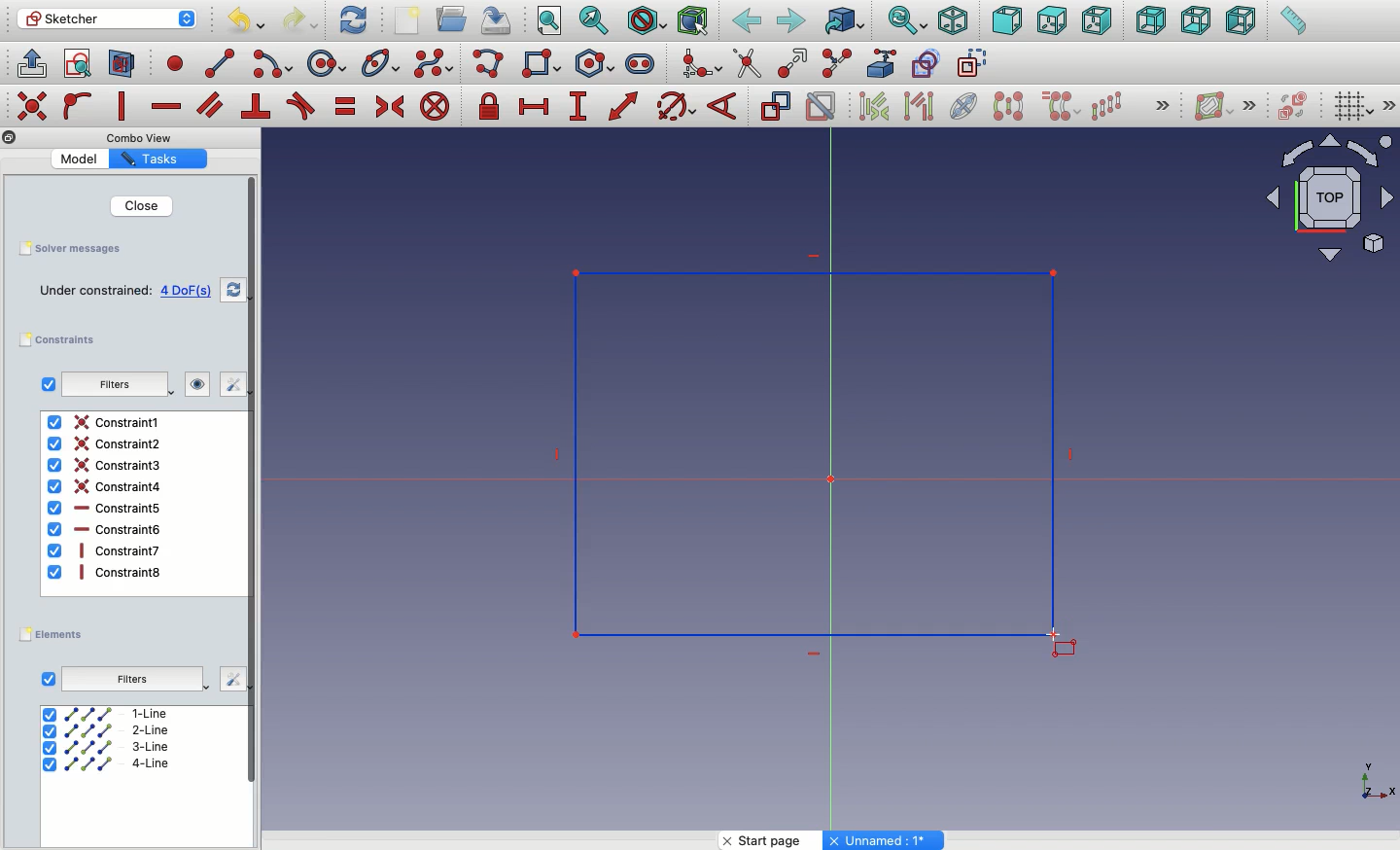  Describe the element at coordinates (1292, 22) in the screenshot. I see `Measure` at that location.